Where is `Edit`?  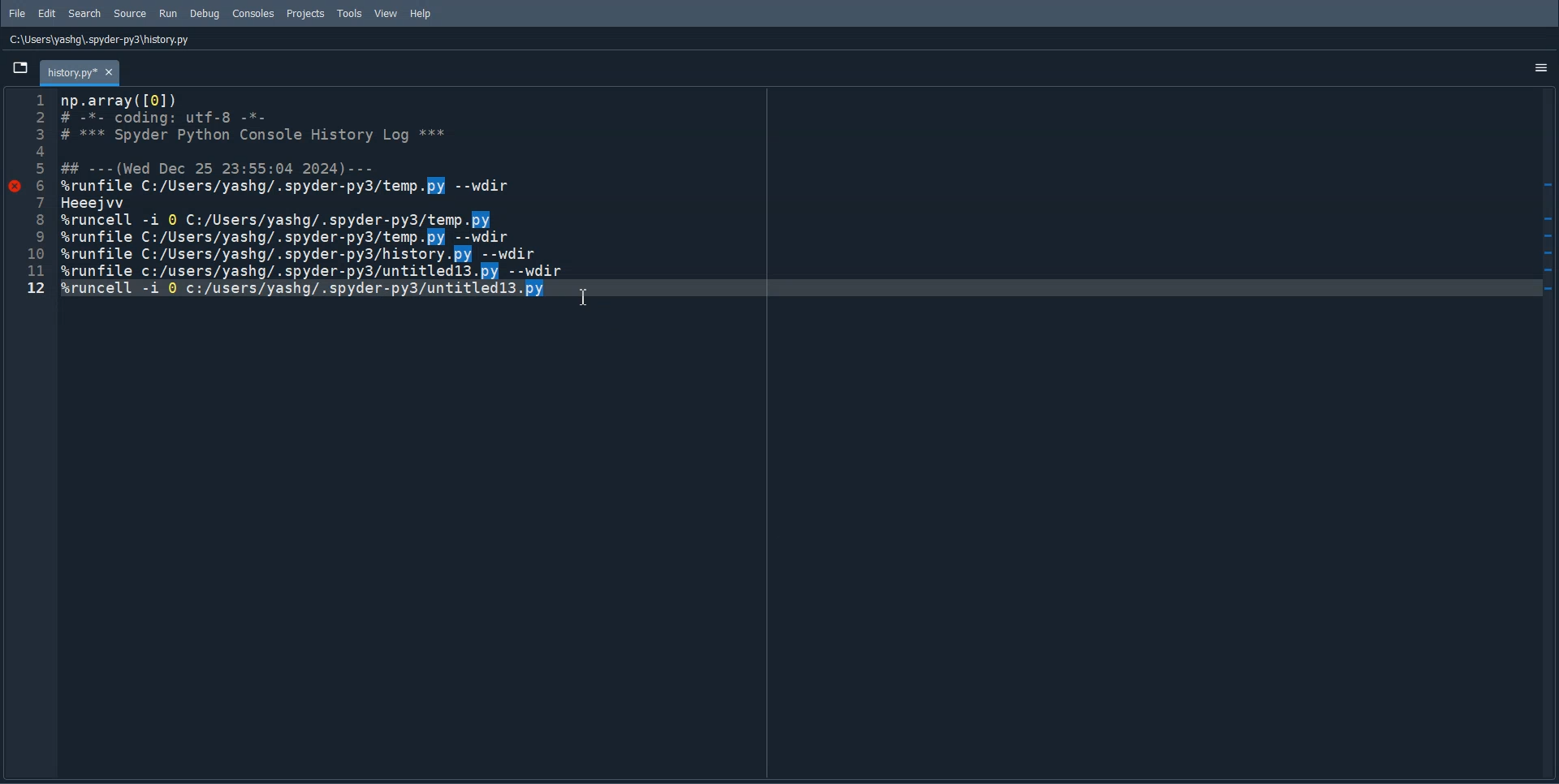
Edit is located at coordinates (47, 13).